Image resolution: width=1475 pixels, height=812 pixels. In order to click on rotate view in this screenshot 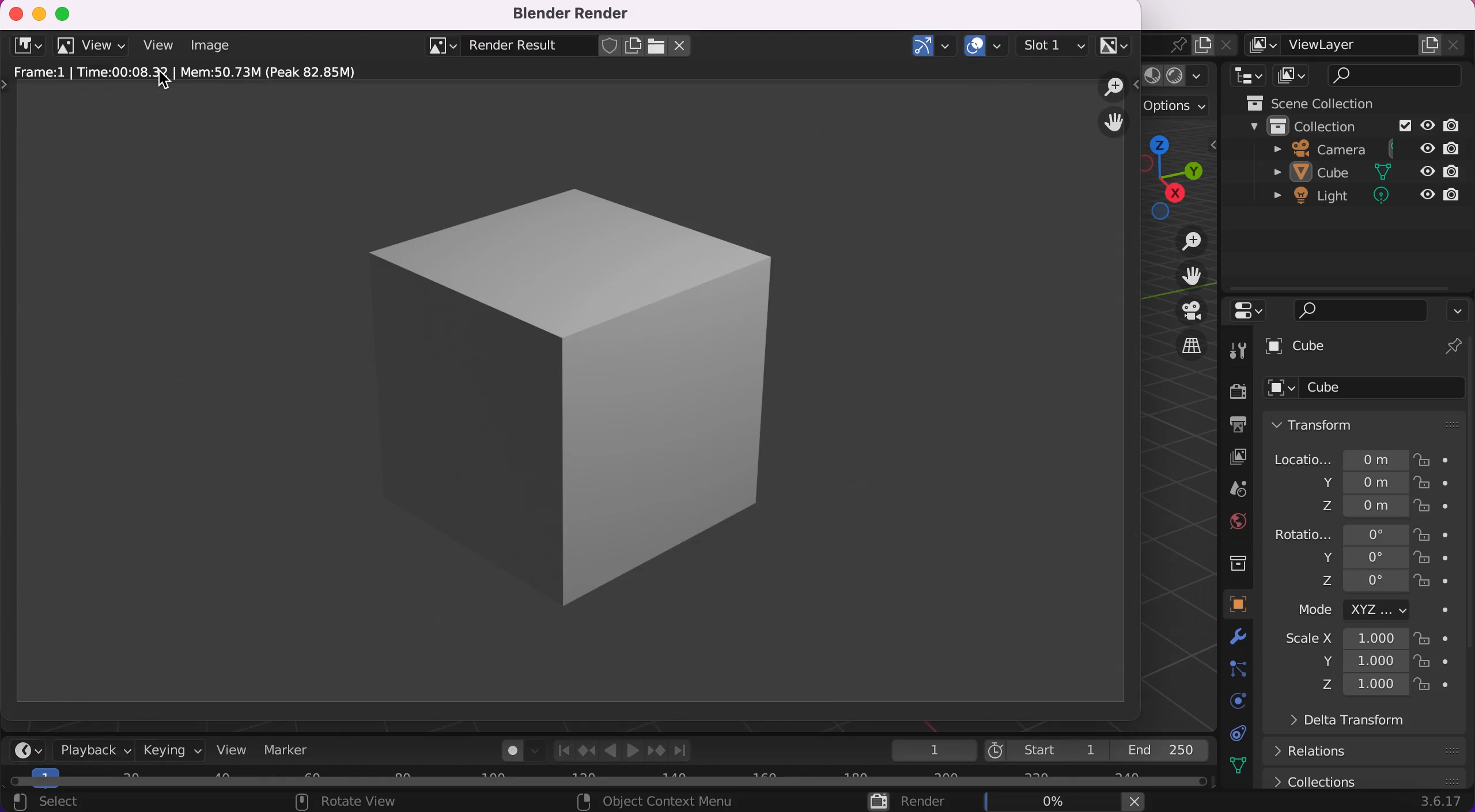, I will do `click(356, 802)`.